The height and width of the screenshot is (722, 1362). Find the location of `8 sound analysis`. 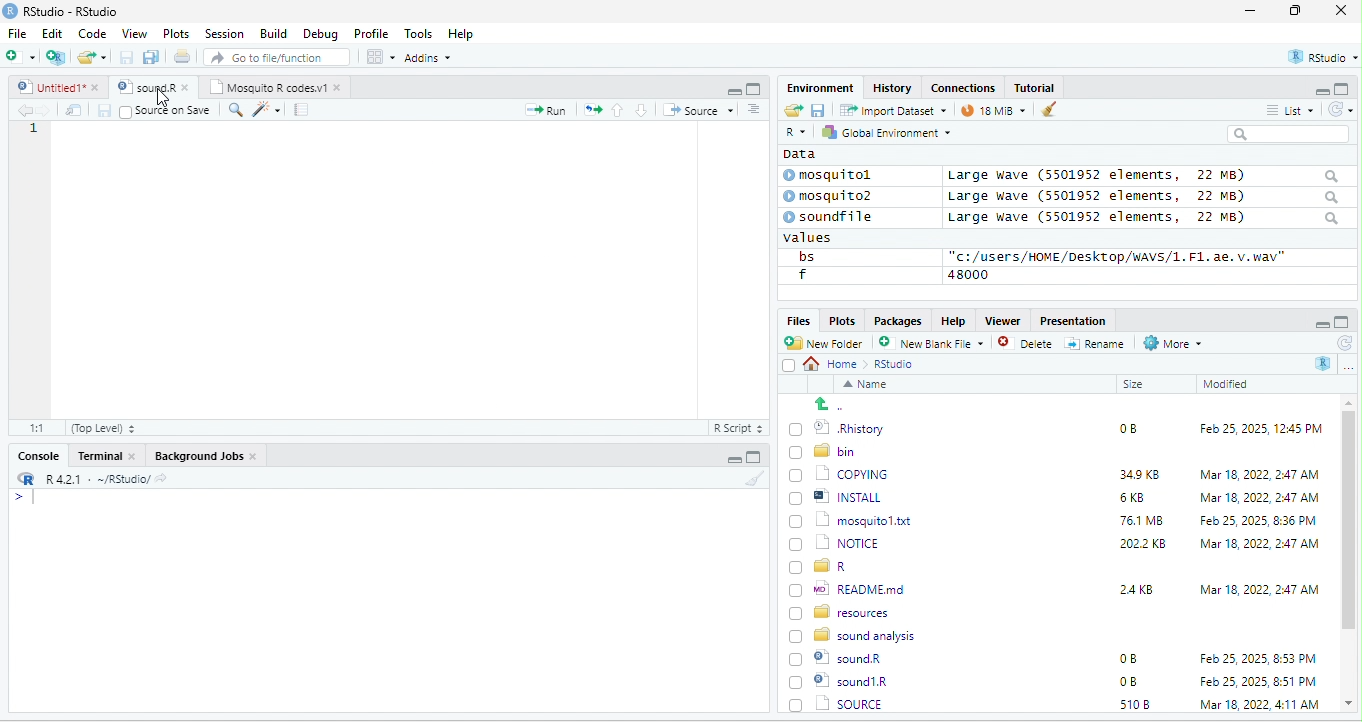

8 sound analysis is located at coordinates (855, 634).